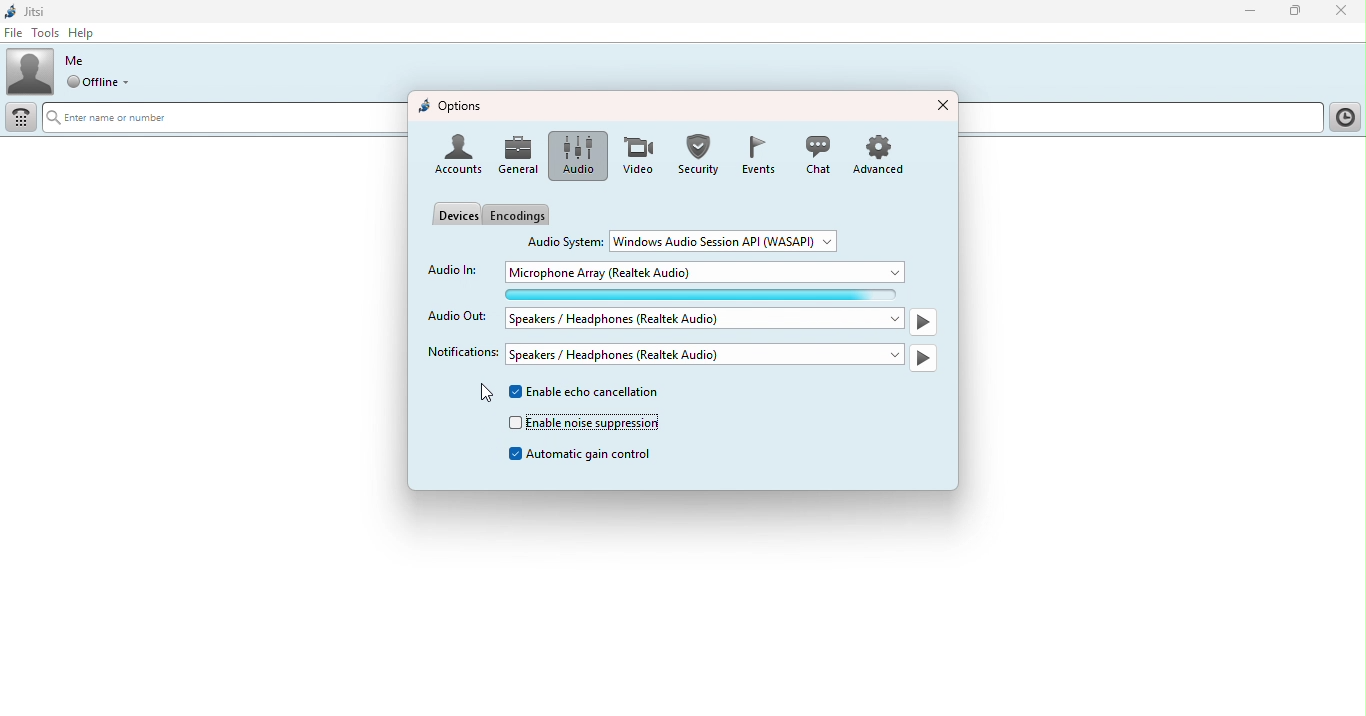  I want to click on On/Off, so click(925, 358).